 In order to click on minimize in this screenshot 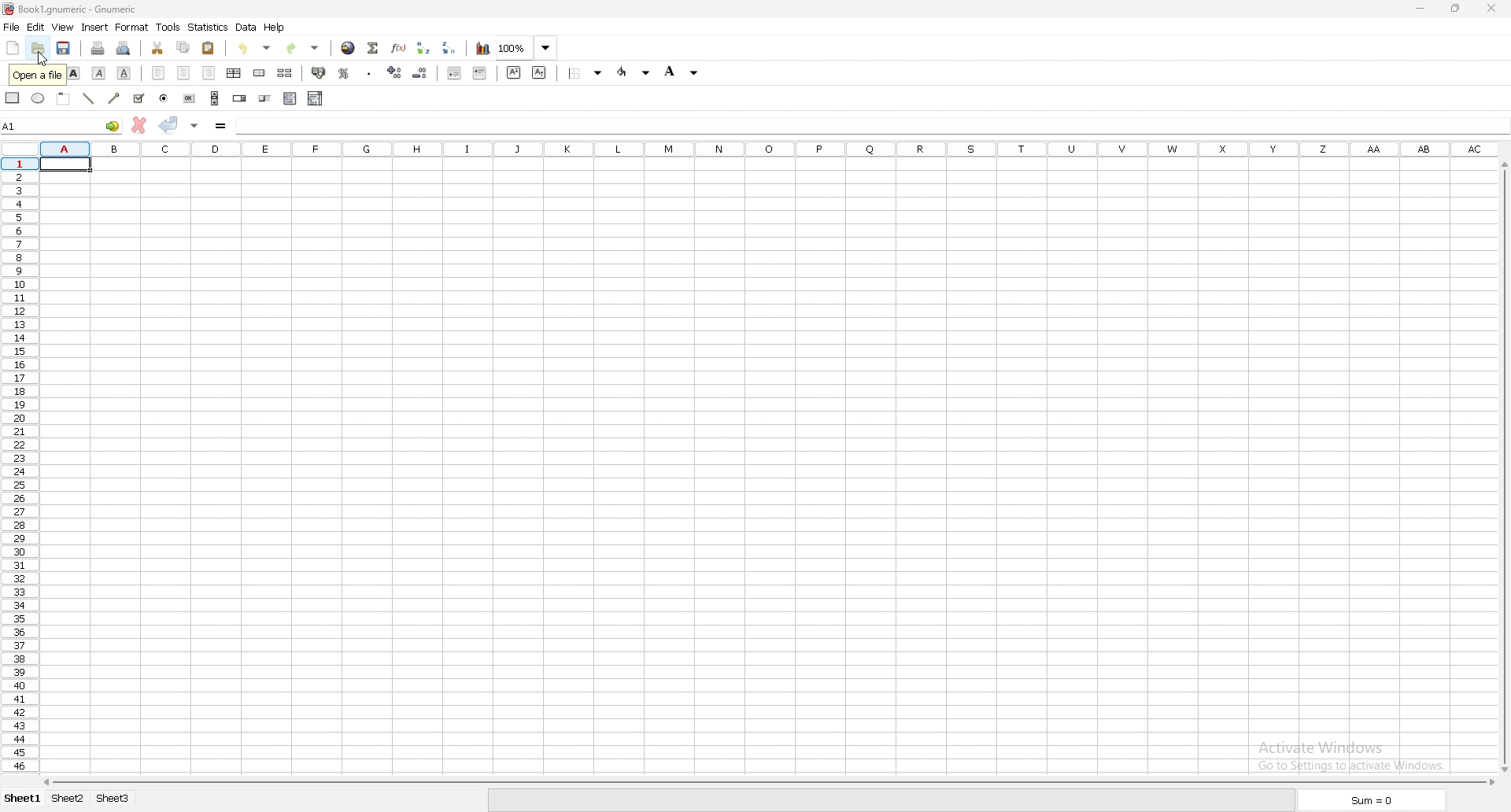, I will do `click(1420, 8)`.